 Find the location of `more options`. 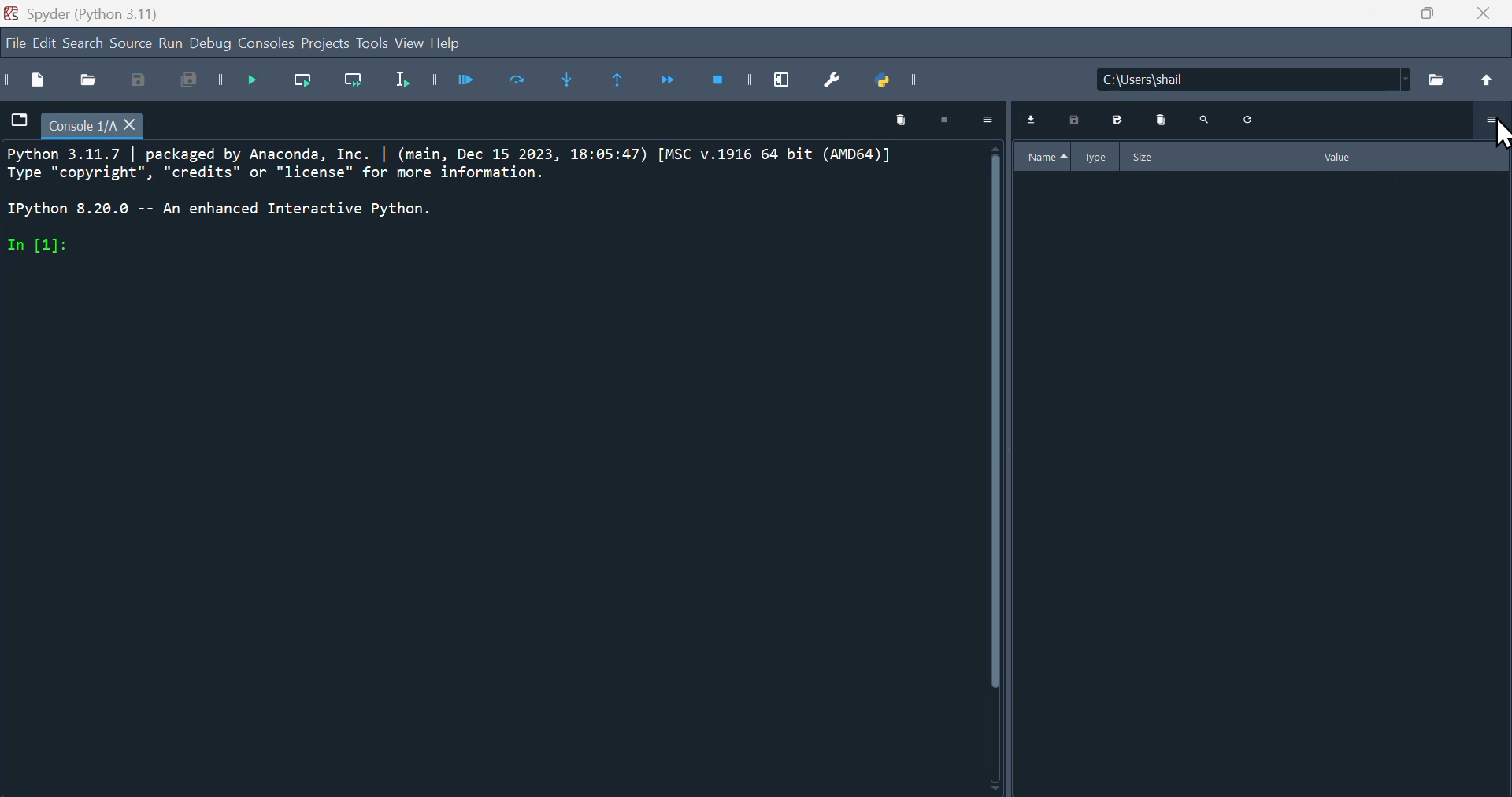

more options is located at coordinates (988, 124).